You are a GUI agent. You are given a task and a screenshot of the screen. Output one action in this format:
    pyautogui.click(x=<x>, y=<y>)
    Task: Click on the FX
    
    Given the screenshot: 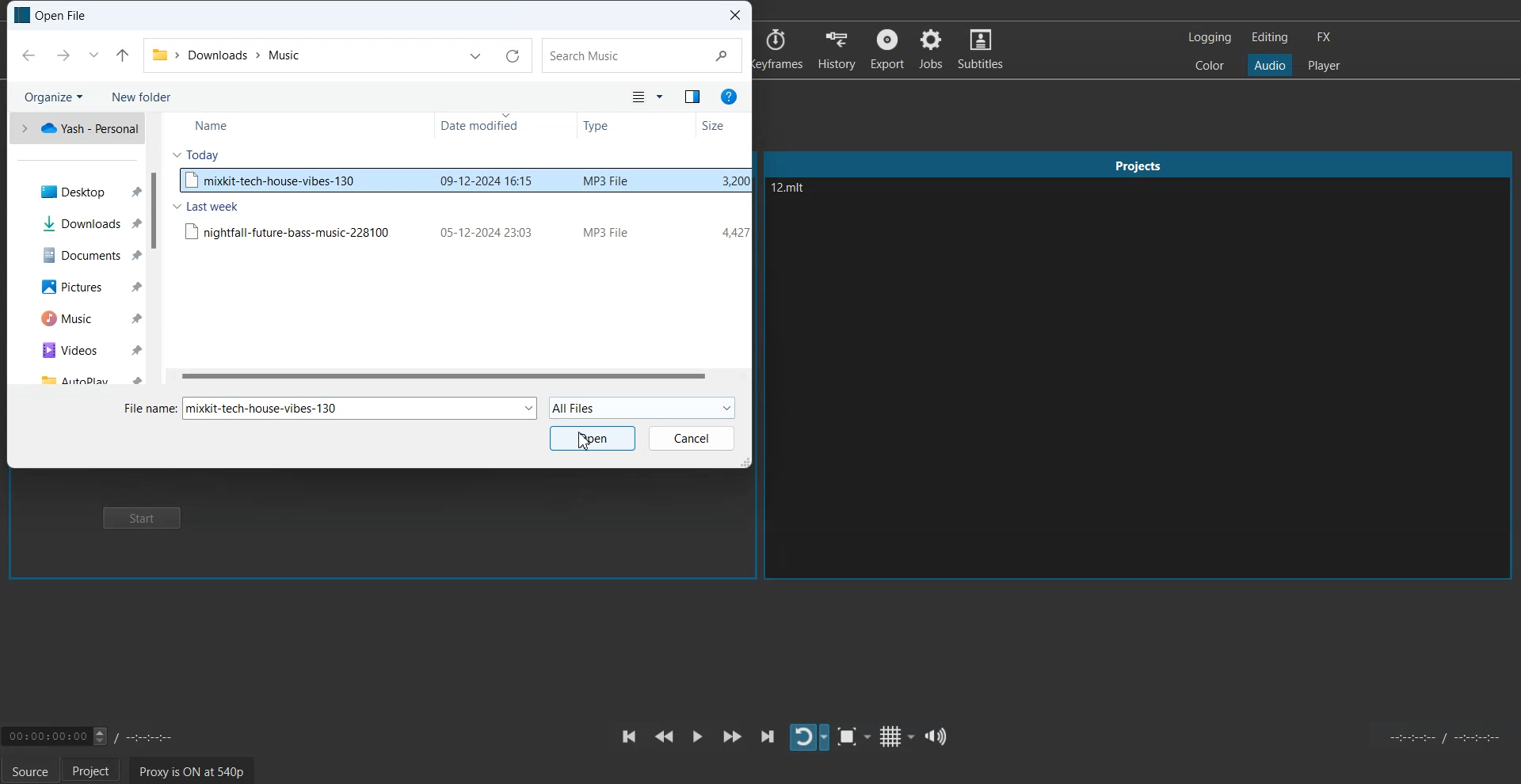 What is the action you would take?
    pyautogui.click(x=1325, y=36)
    